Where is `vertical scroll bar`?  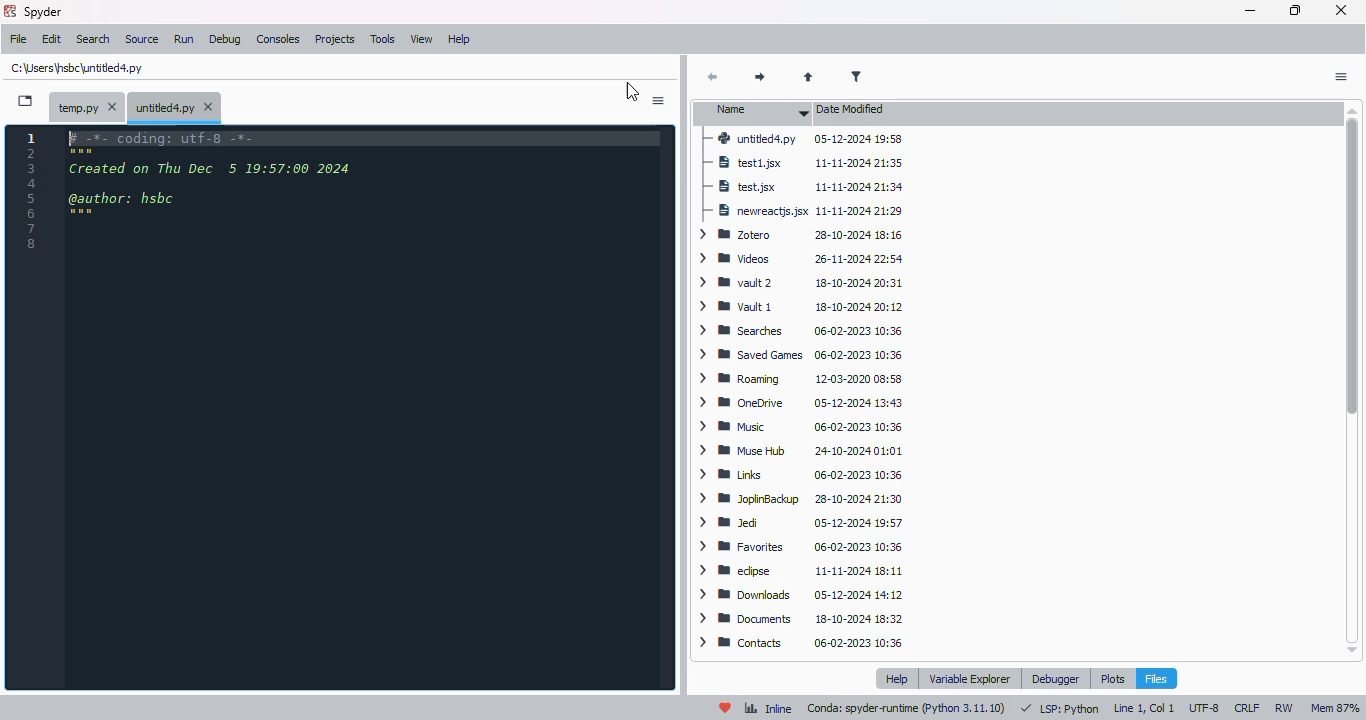
vertical scroll bar is located at coordinates (1354, 380).